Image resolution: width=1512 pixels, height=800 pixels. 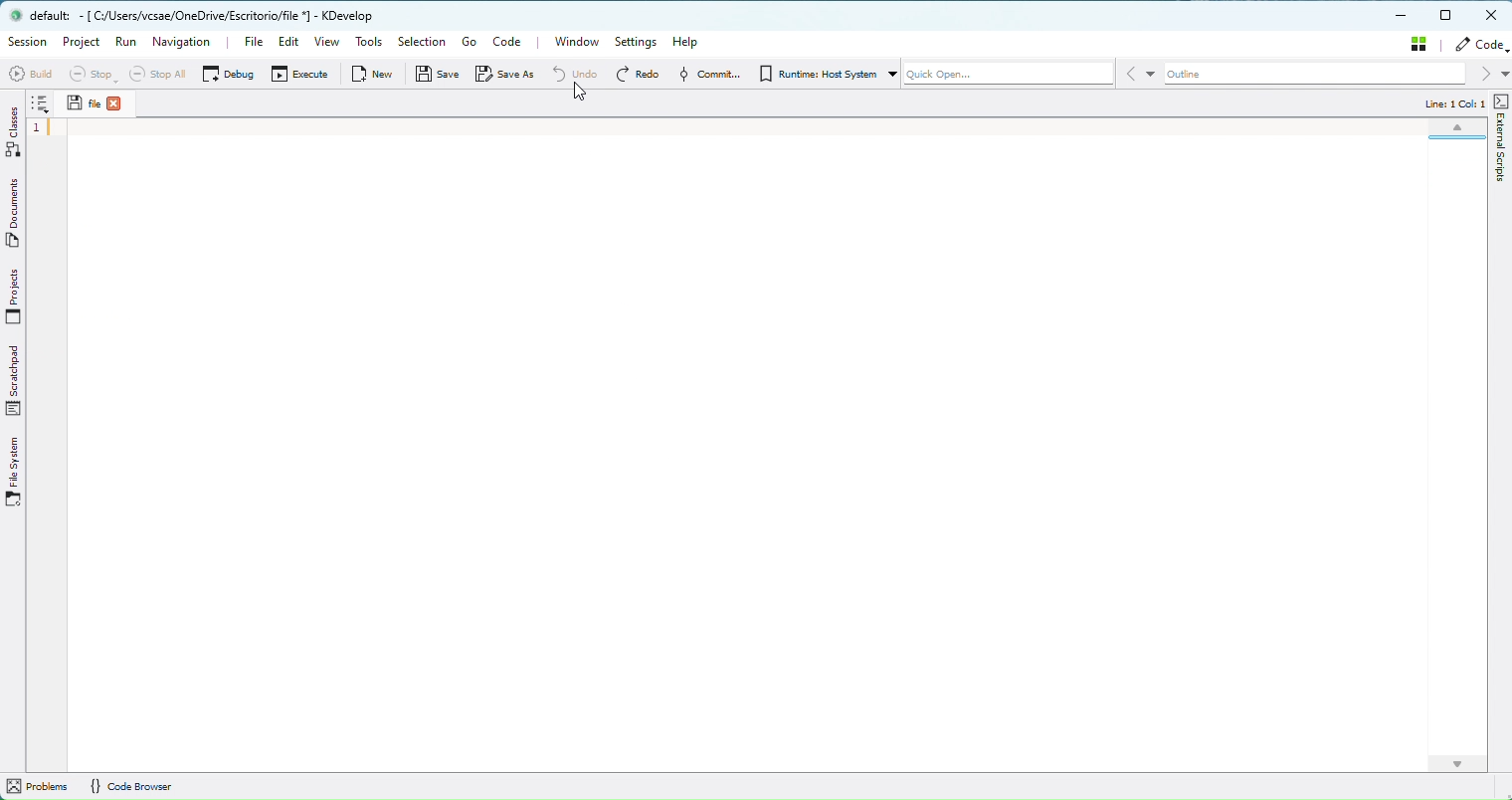 What do you see at coordinates (582, 71) in the screenshot?
I see `Undo` at bounding box center [582, 71].